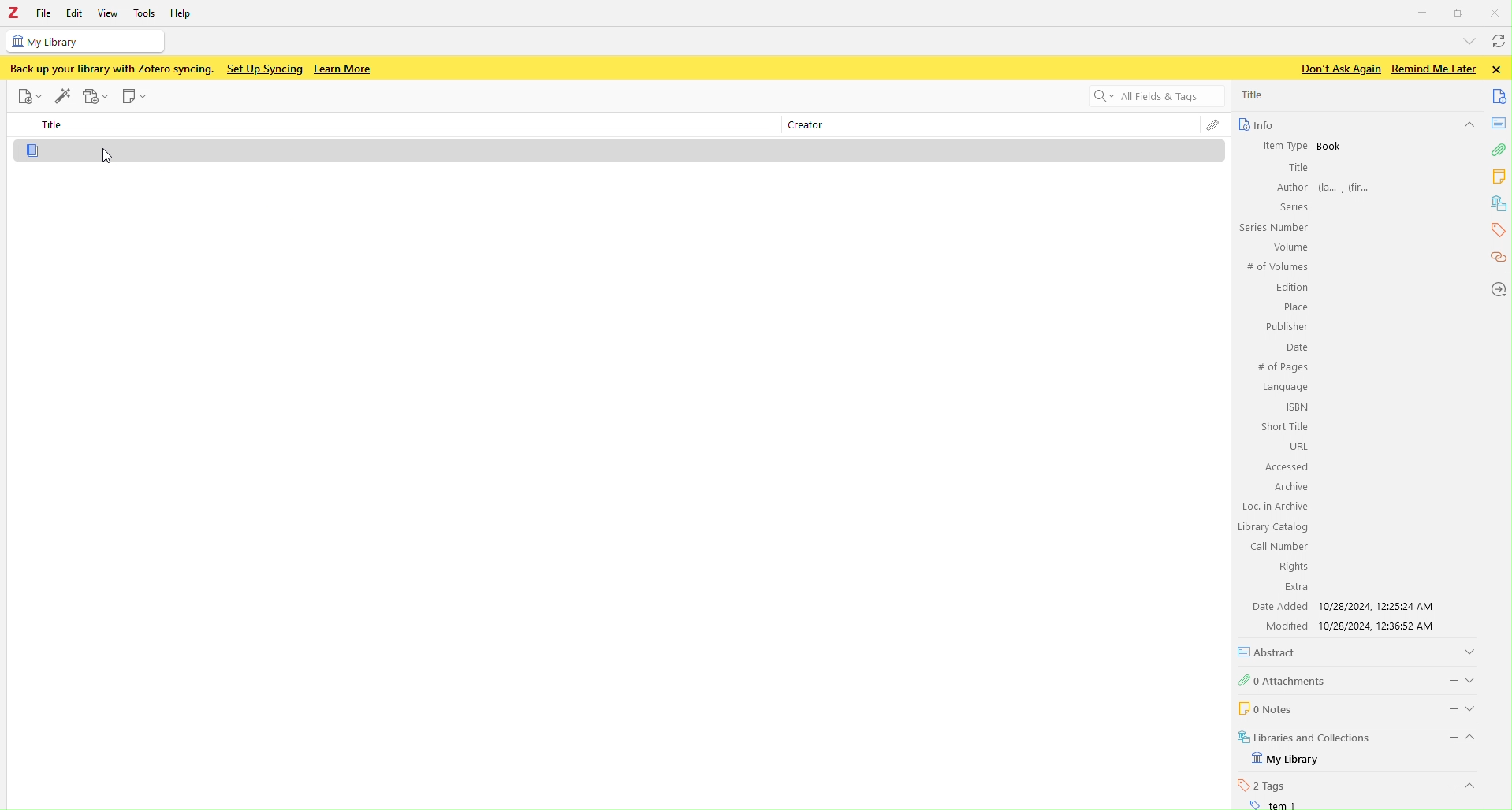  Describe the element at coordinates (136, 97) in the screenshot. I see `Note` at that location.